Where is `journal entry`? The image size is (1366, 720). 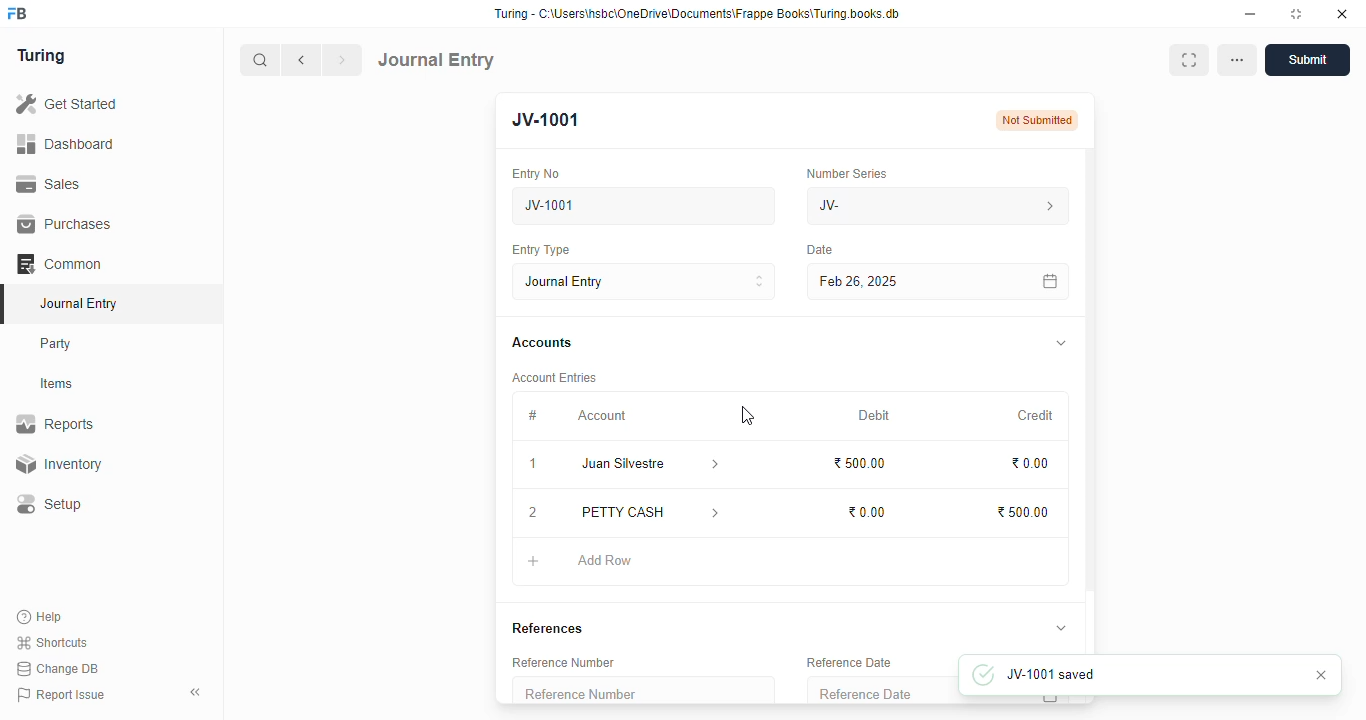
journal entry is located at coordinates (437, 59).